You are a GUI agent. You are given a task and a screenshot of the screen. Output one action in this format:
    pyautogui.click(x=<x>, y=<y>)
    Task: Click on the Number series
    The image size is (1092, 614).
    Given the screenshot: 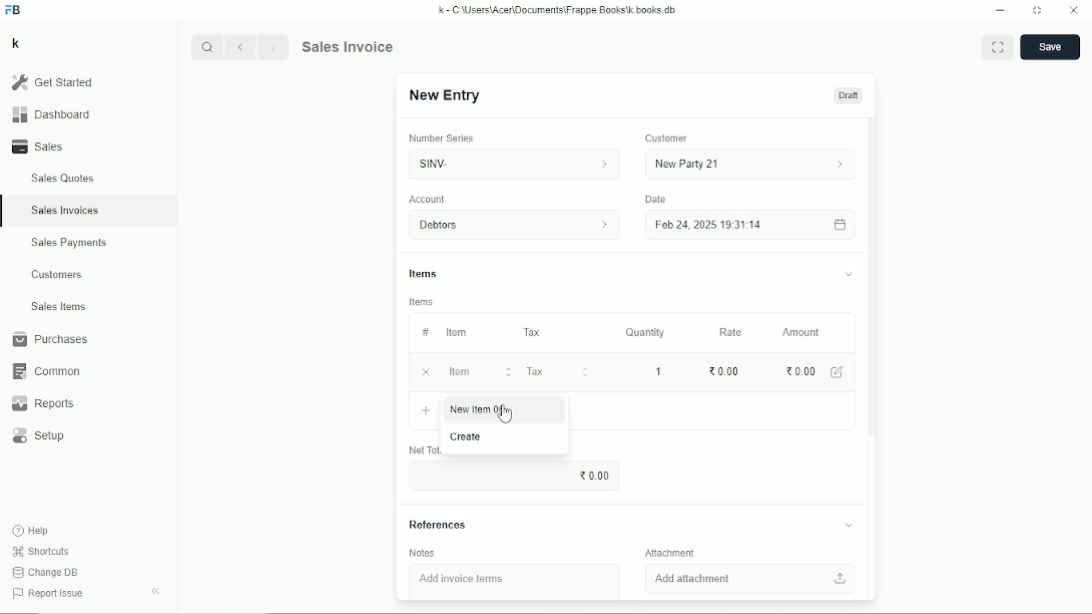 What is the action you would take?
    pyautogui.click(x=442, y=138)
    